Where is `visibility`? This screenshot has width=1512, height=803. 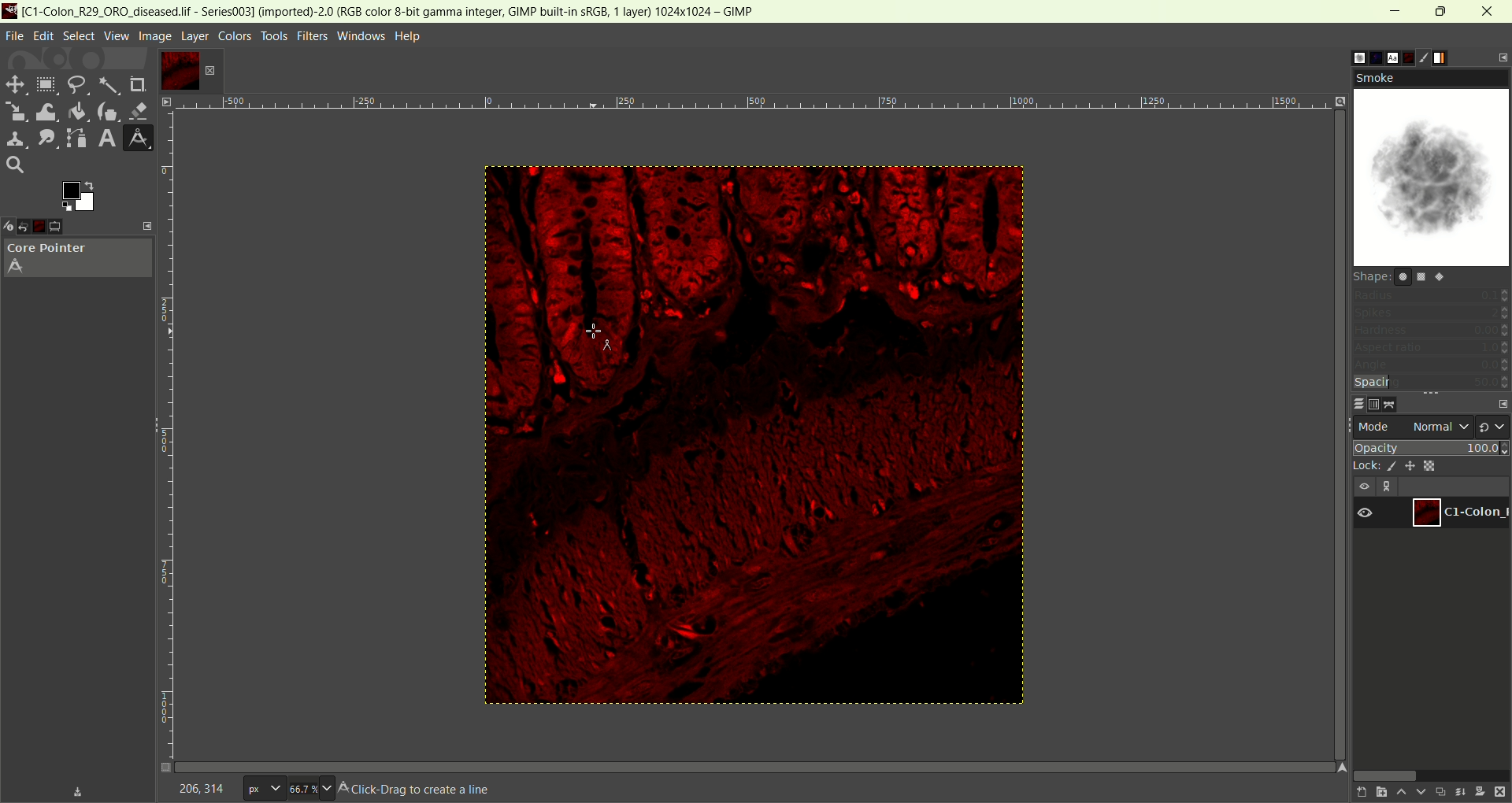 visibility is located at coordinates (1366, 514).